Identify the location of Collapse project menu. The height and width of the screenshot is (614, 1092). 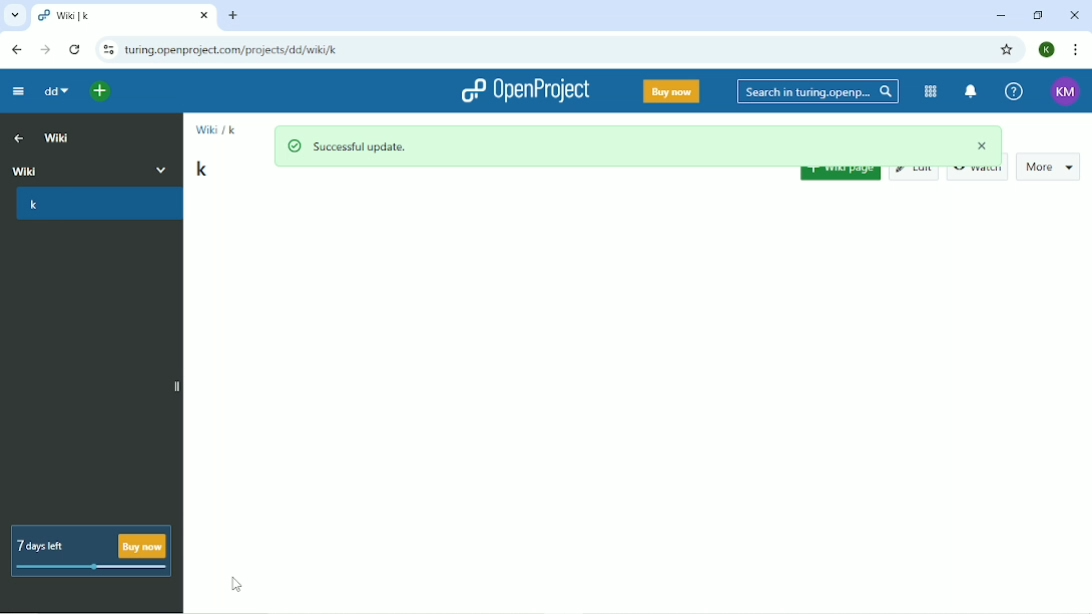
(18, 91).